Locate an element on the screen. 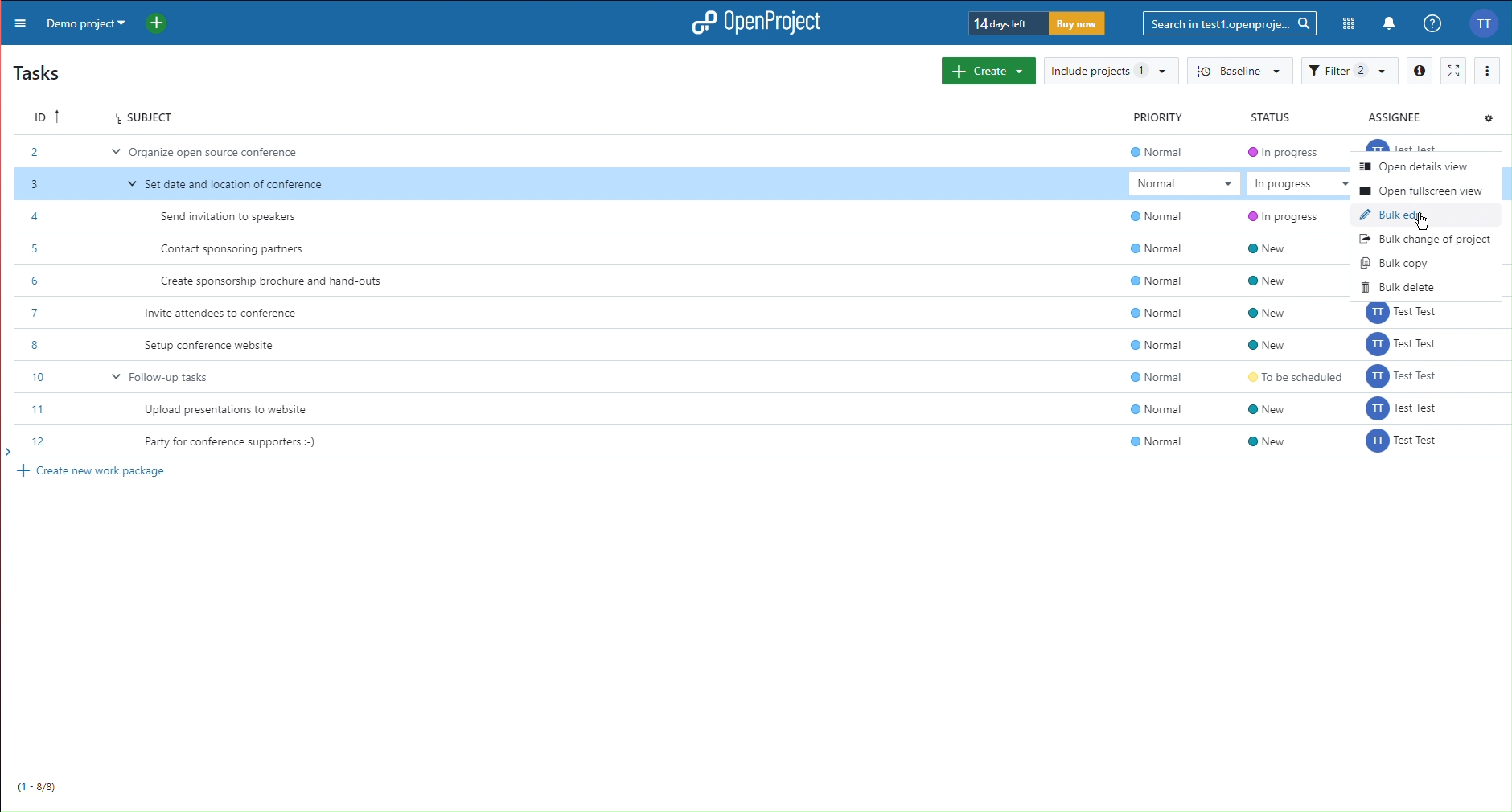 This screenshot has height=812, width=1512. Test task is located at coordinates (1405, 143).